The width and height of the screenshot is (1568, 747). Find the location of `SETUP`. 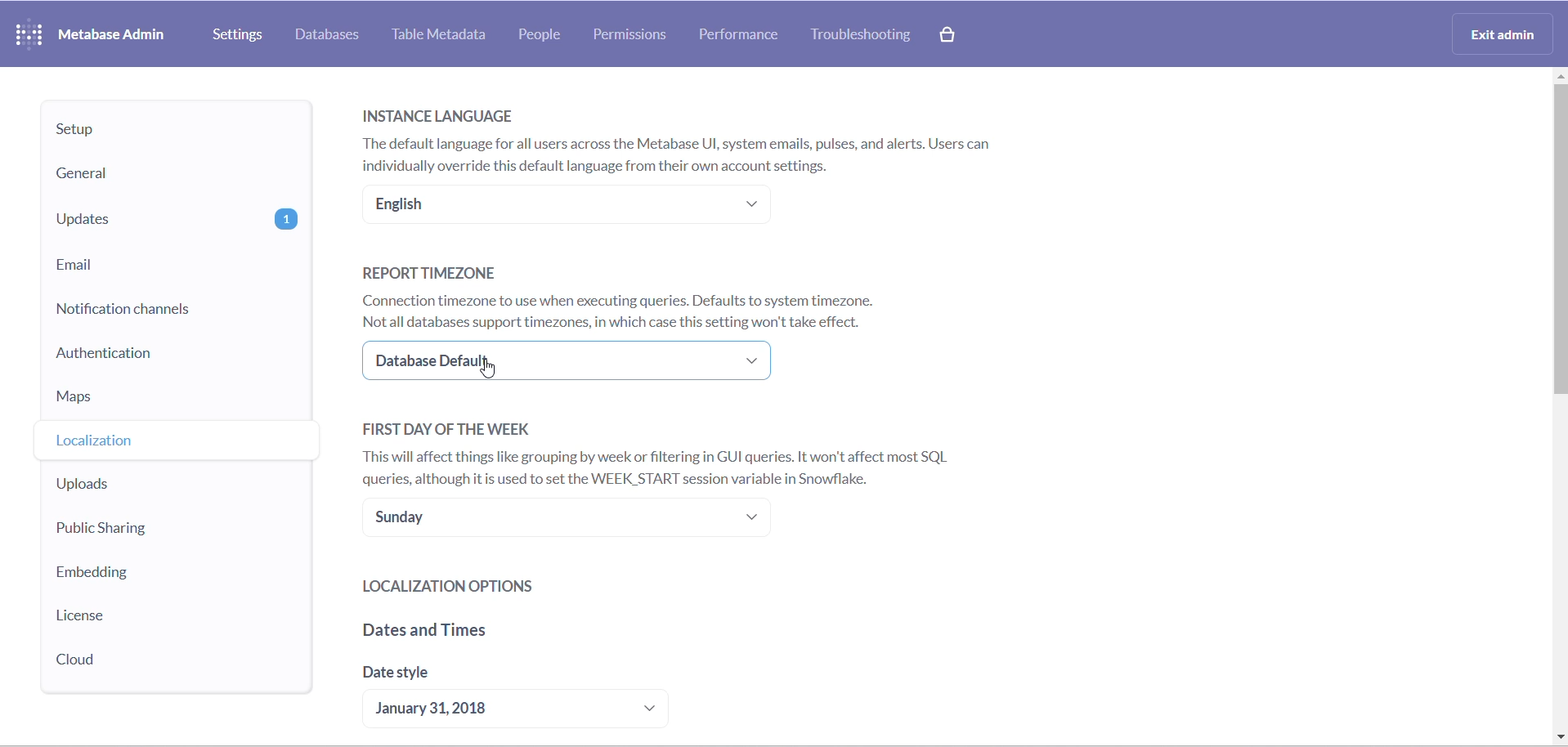

SETUP is located at coordinates (173, 130).